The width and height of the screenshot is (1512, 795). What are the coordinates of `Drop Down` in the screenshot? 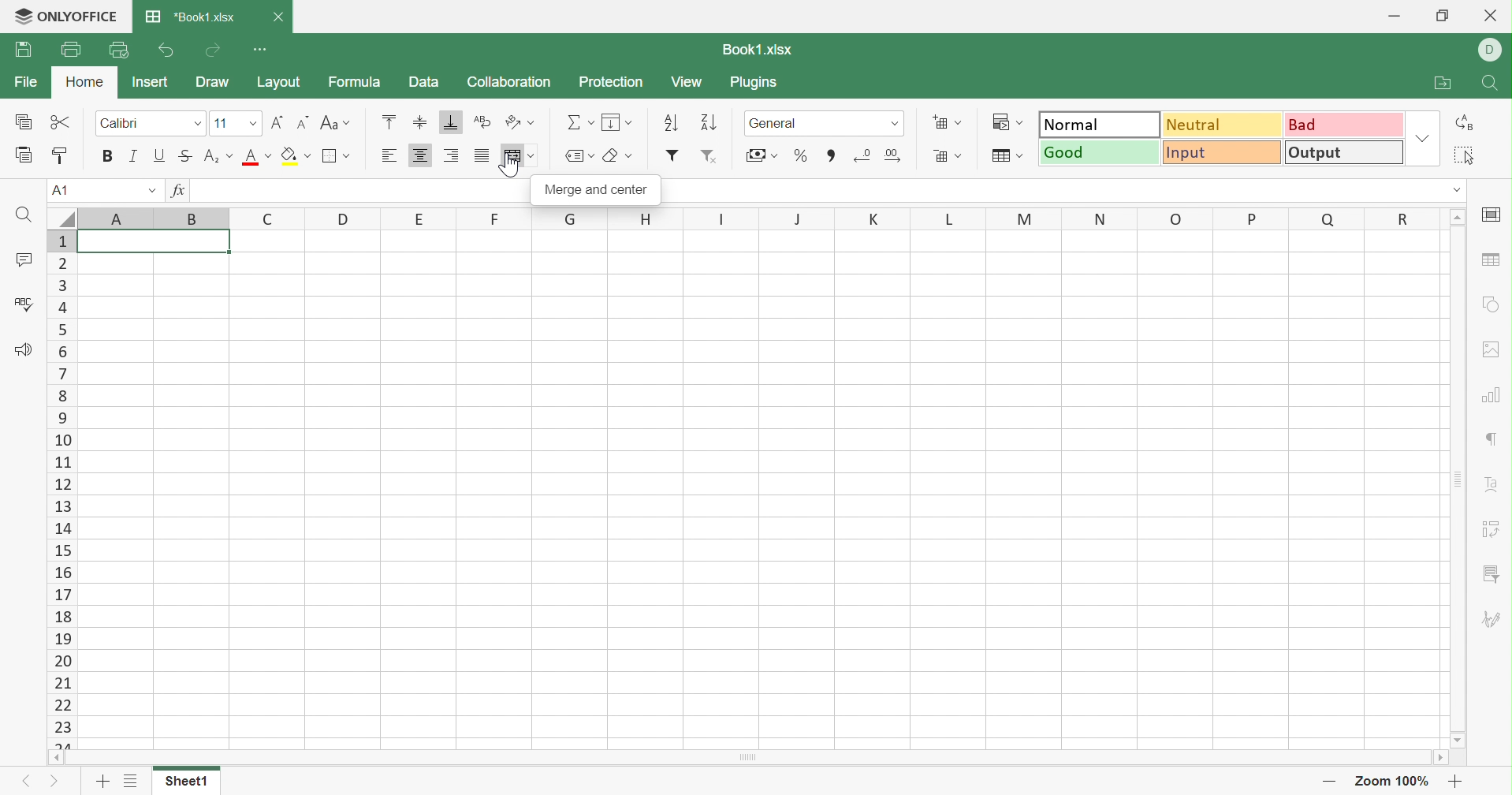 It's located at (198, 123).